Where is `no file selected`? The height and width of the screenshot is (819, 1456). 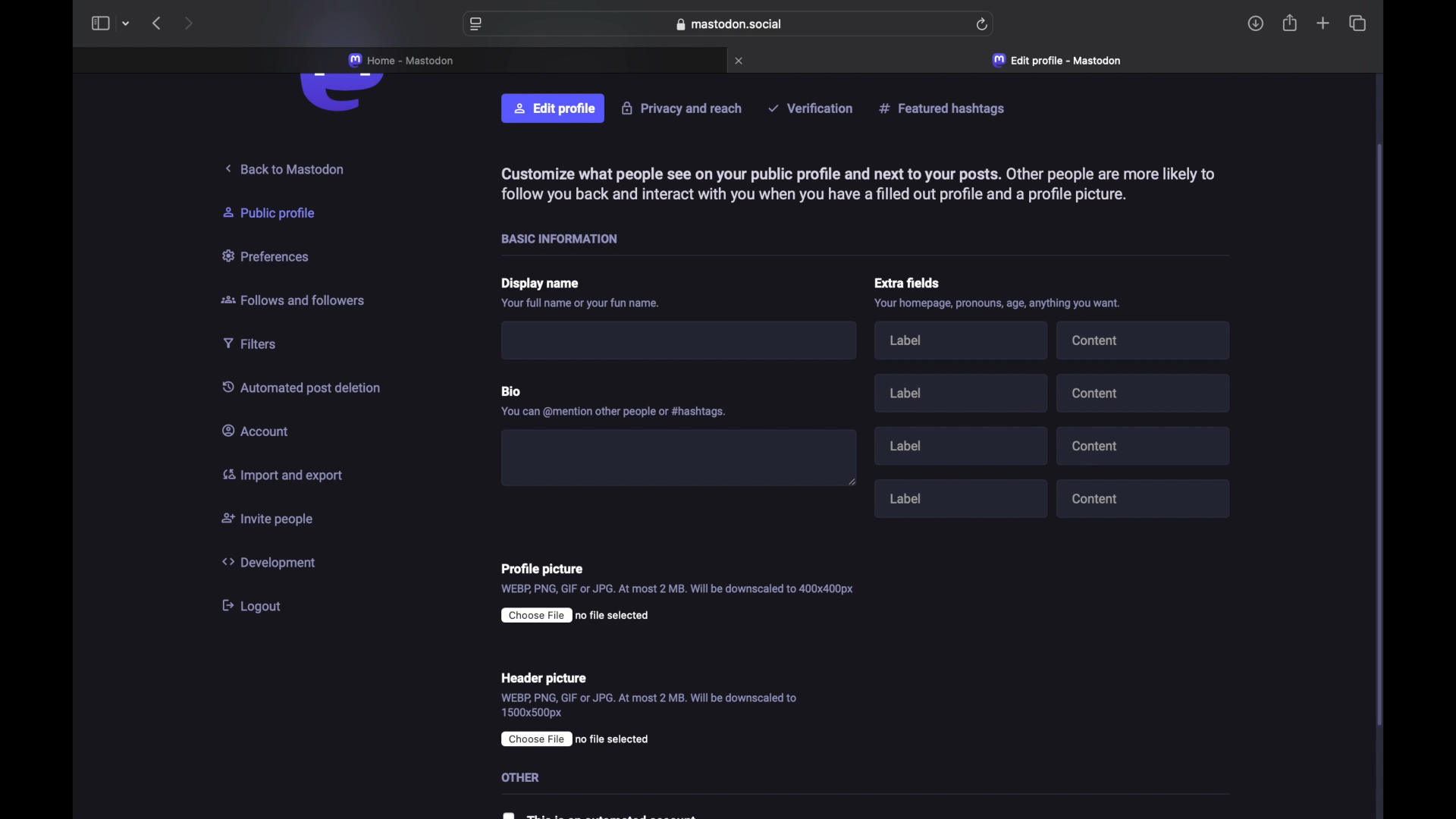 no file selected is located at coordinates (591, 617).